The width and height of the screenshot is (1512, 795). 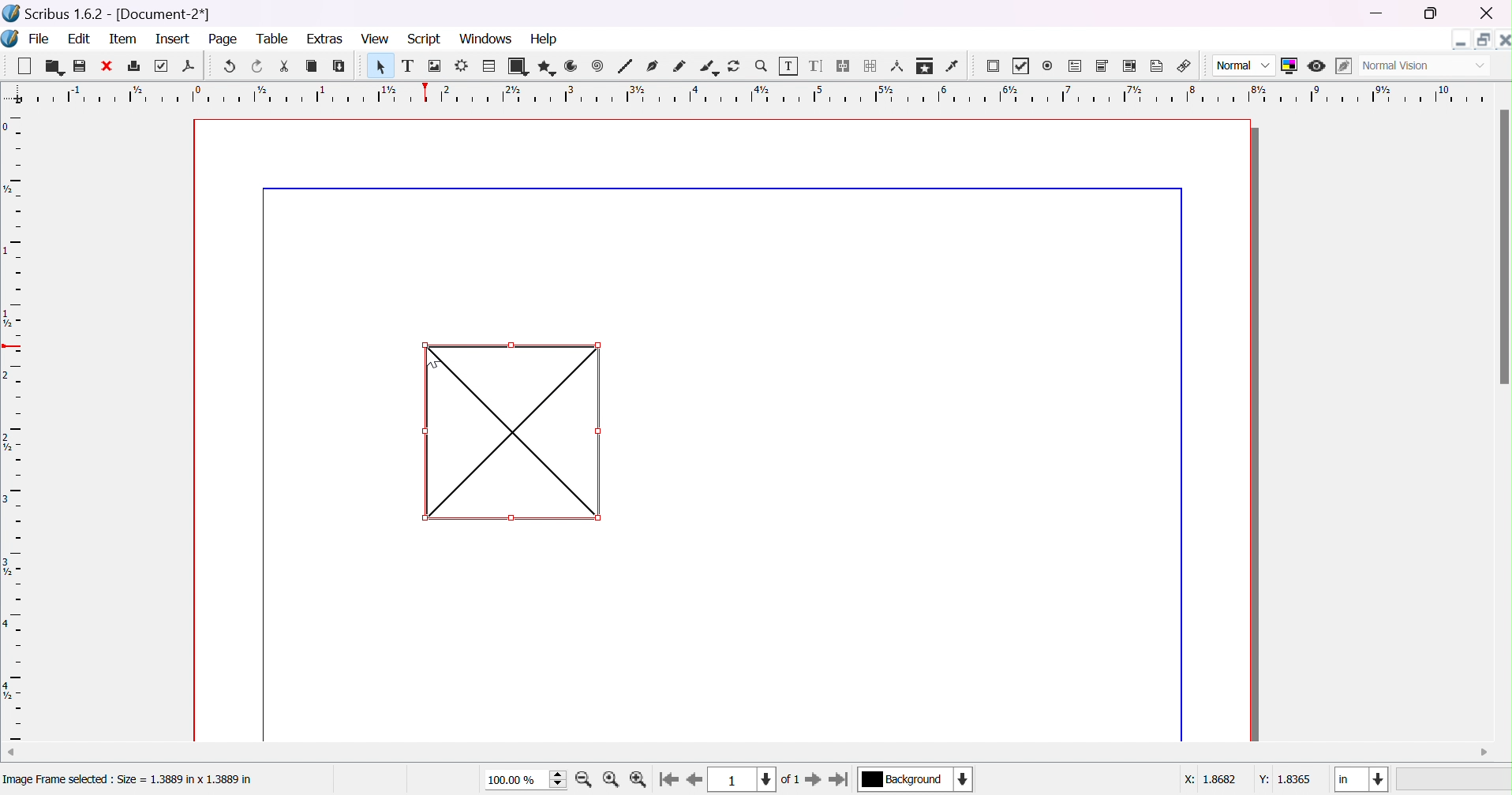 What do you see at coordinates (546, 38) in the screenshot?
I see `help` at bounding box center [546, 38].